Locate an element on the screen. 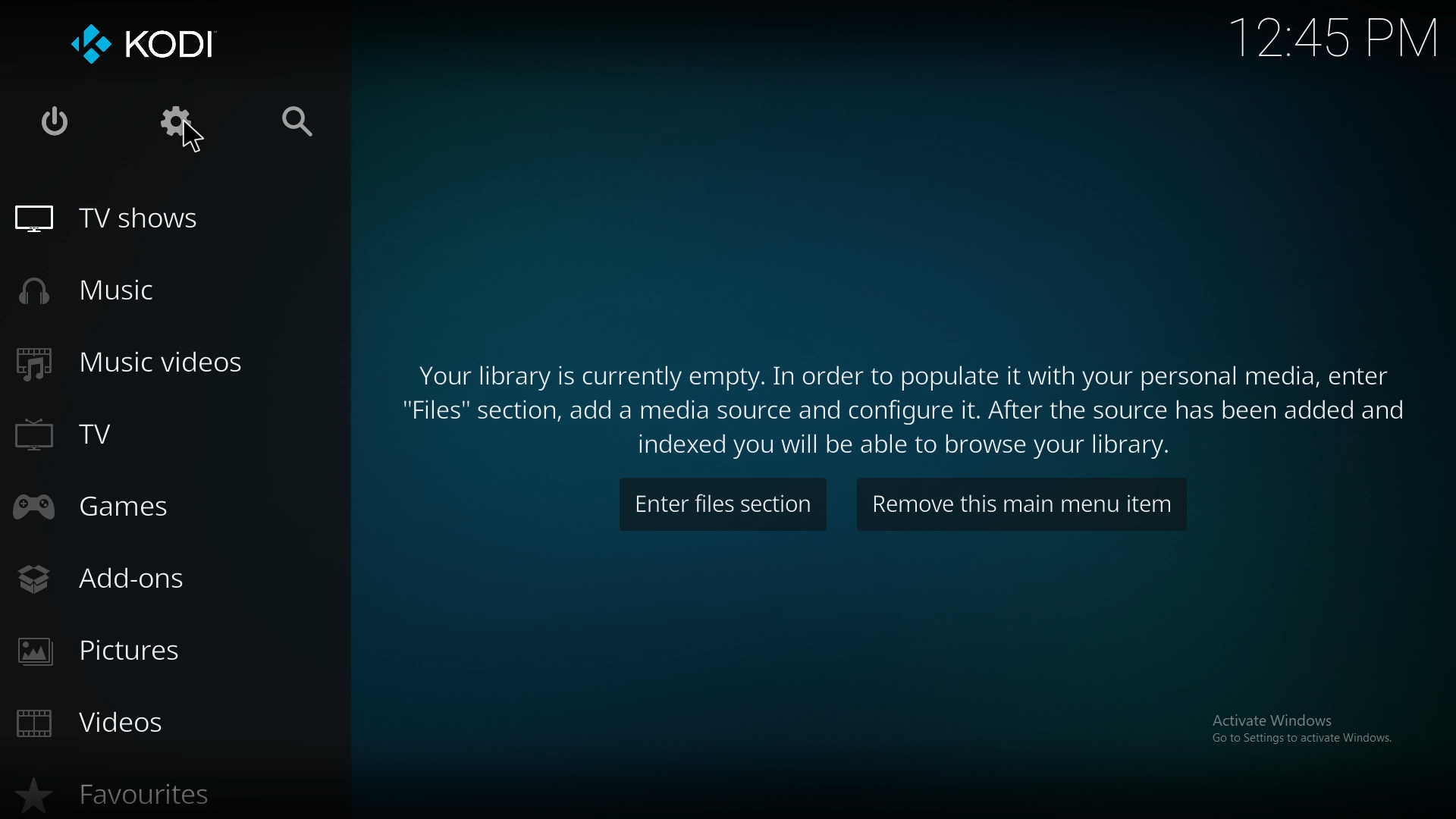 This screenshot has width=1456, height=819. videos is located at coordinates (115, 723).